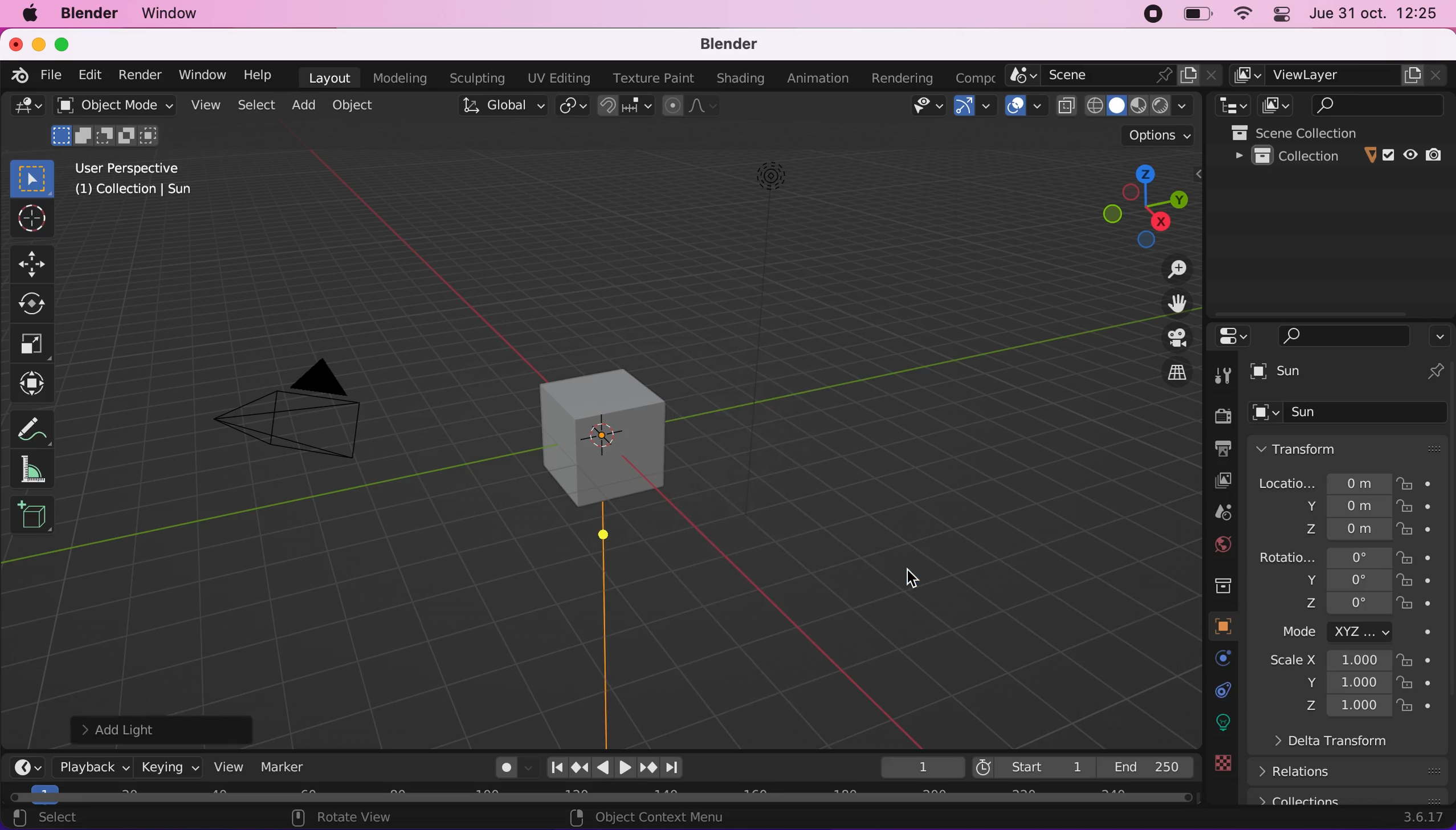 Image resolution: width=1456 pixels, height=830 pixels. Describe the element at coordinates (1229, 105) in the screenshot. I see `editor type` at that location.